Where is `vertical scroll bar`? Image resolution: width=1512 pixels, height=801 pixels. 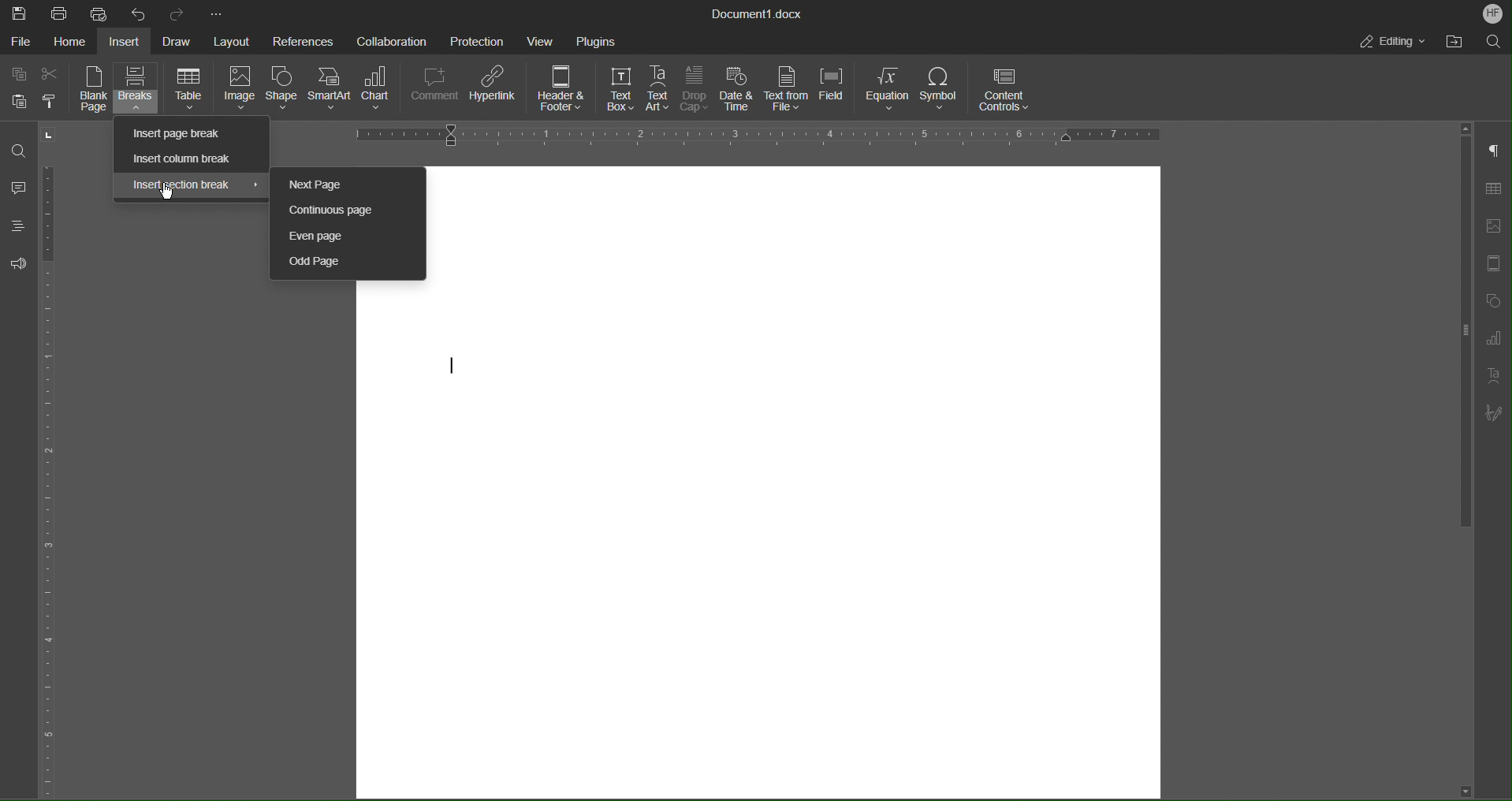 vertical scroll bar is located at coordinates (1460, 329).